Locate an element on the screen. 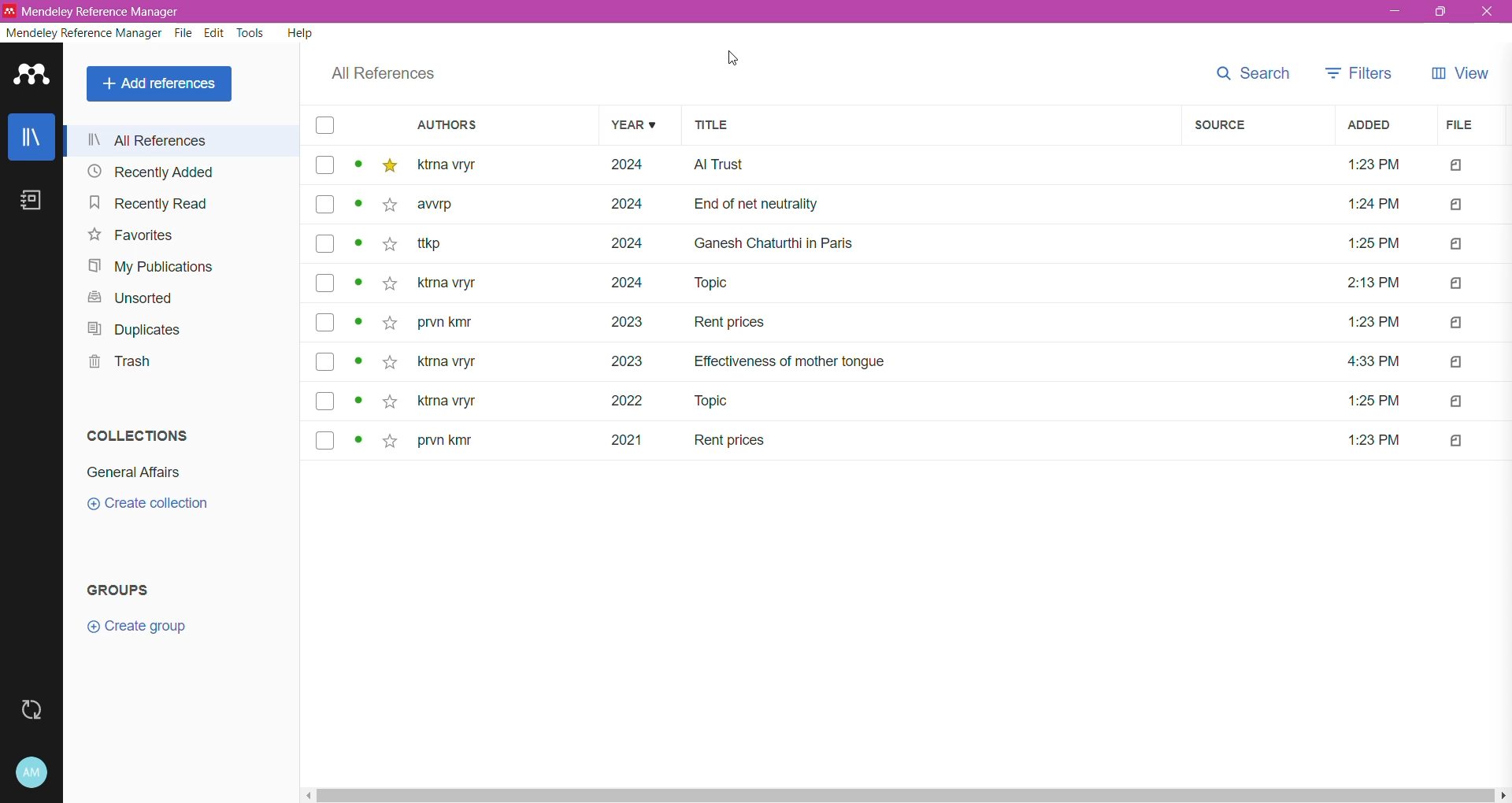 The width and height of the screenshot is (1512, 803). Create Collection is located at coordinates (148, 504).